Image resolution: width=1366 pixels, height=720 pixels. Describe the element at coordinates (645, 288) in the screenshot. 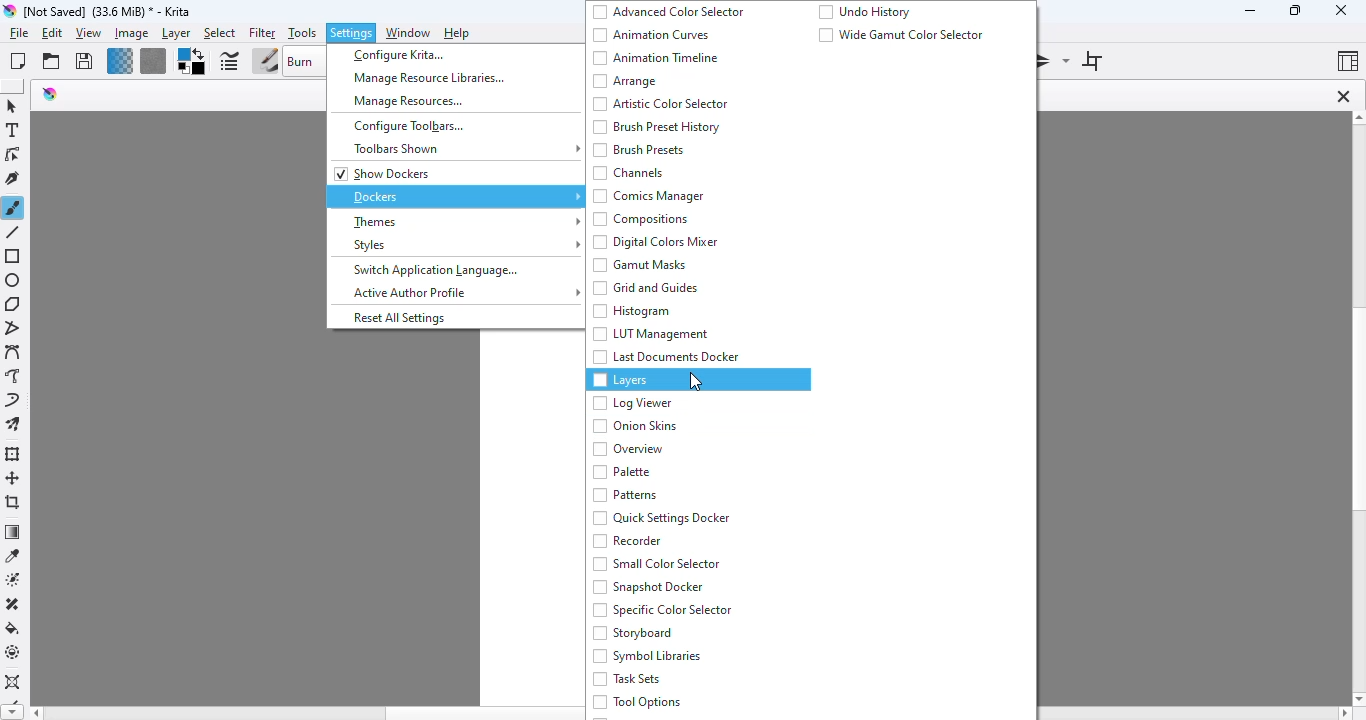

I see `grid and guides` at that location.